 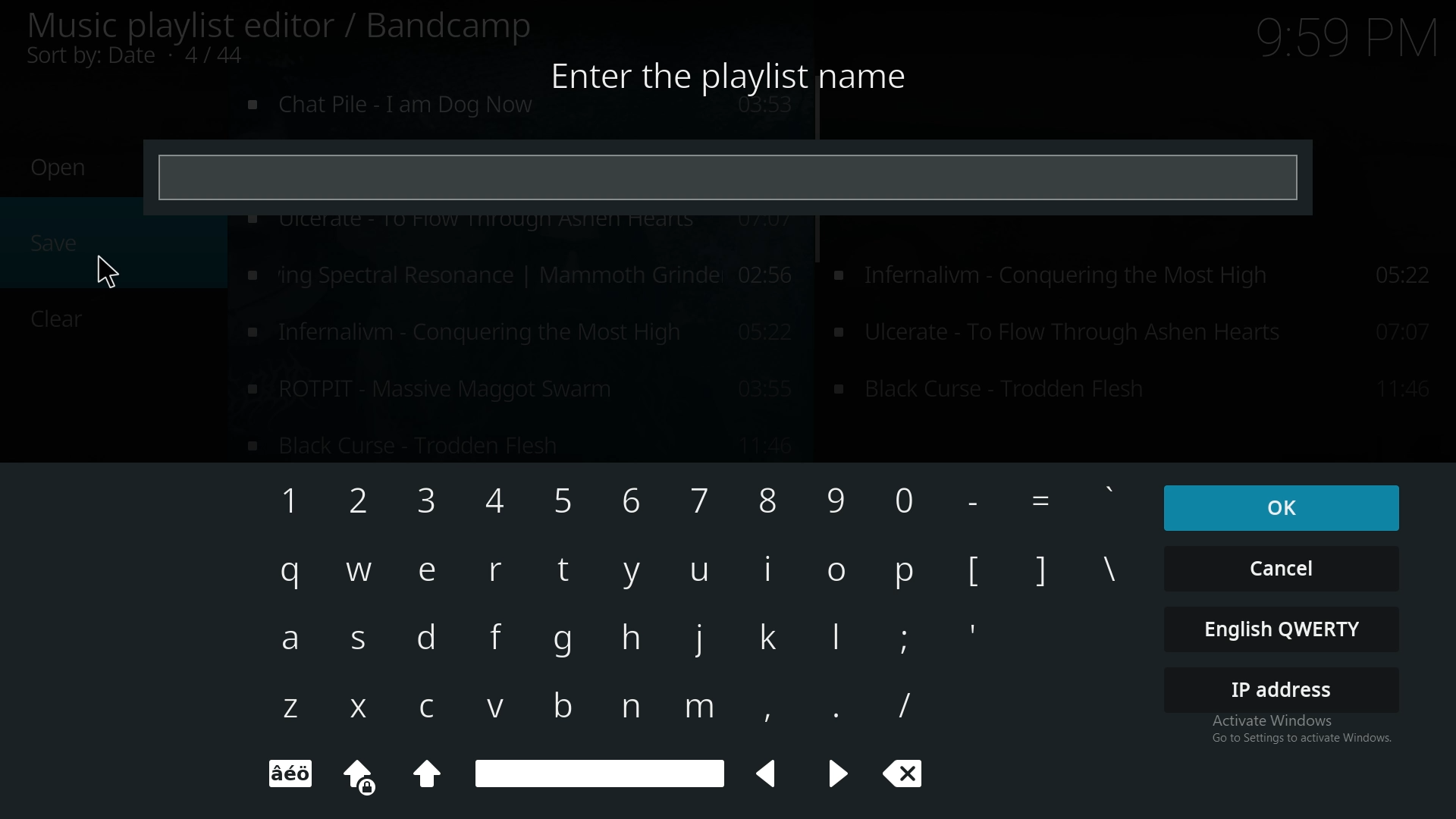 I want to click on keyboard input, so click(x=428, y=504).